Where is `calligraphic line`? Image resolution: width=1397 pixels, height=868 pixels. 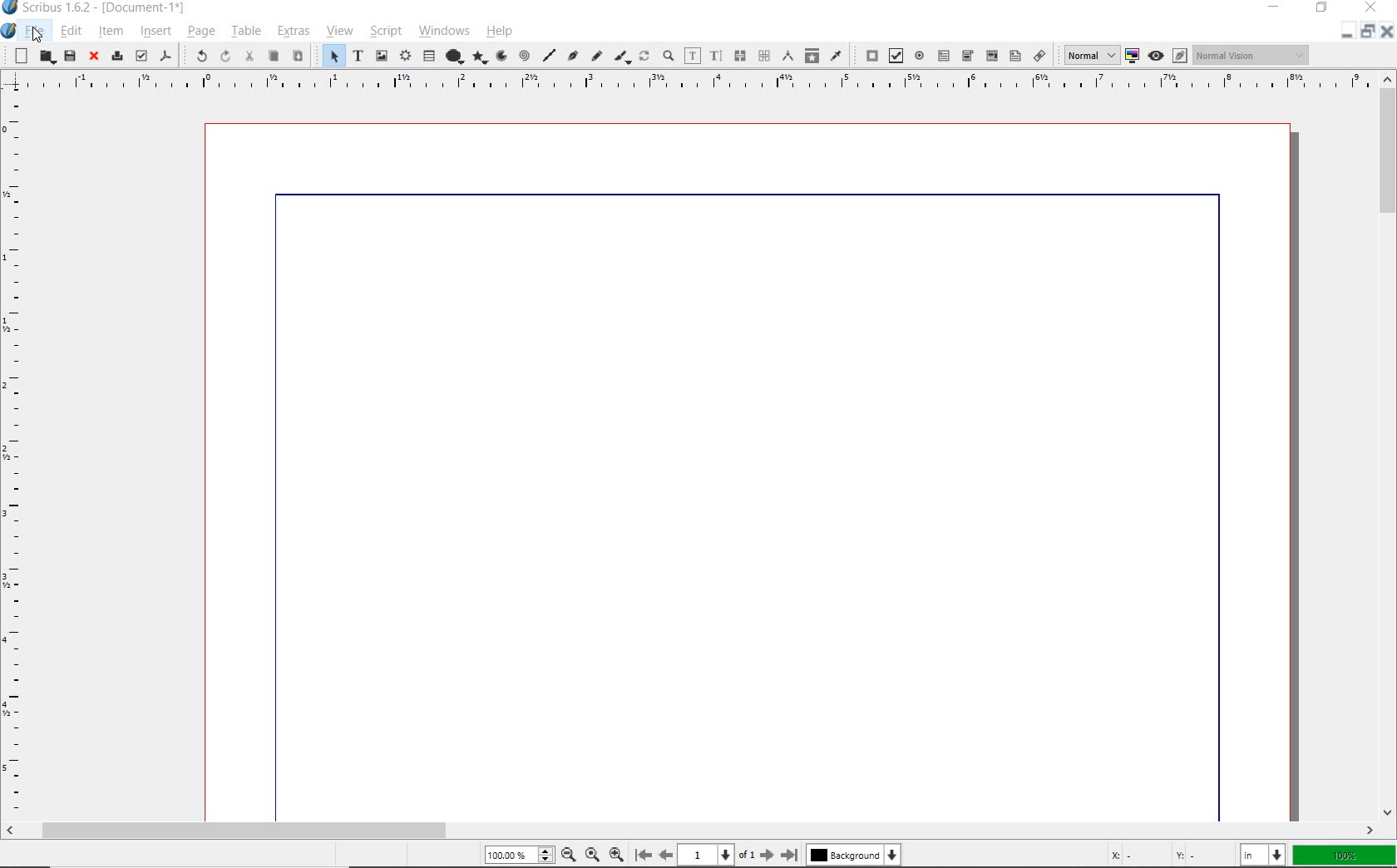 calligraphic line is located at coordinates (624, 57).